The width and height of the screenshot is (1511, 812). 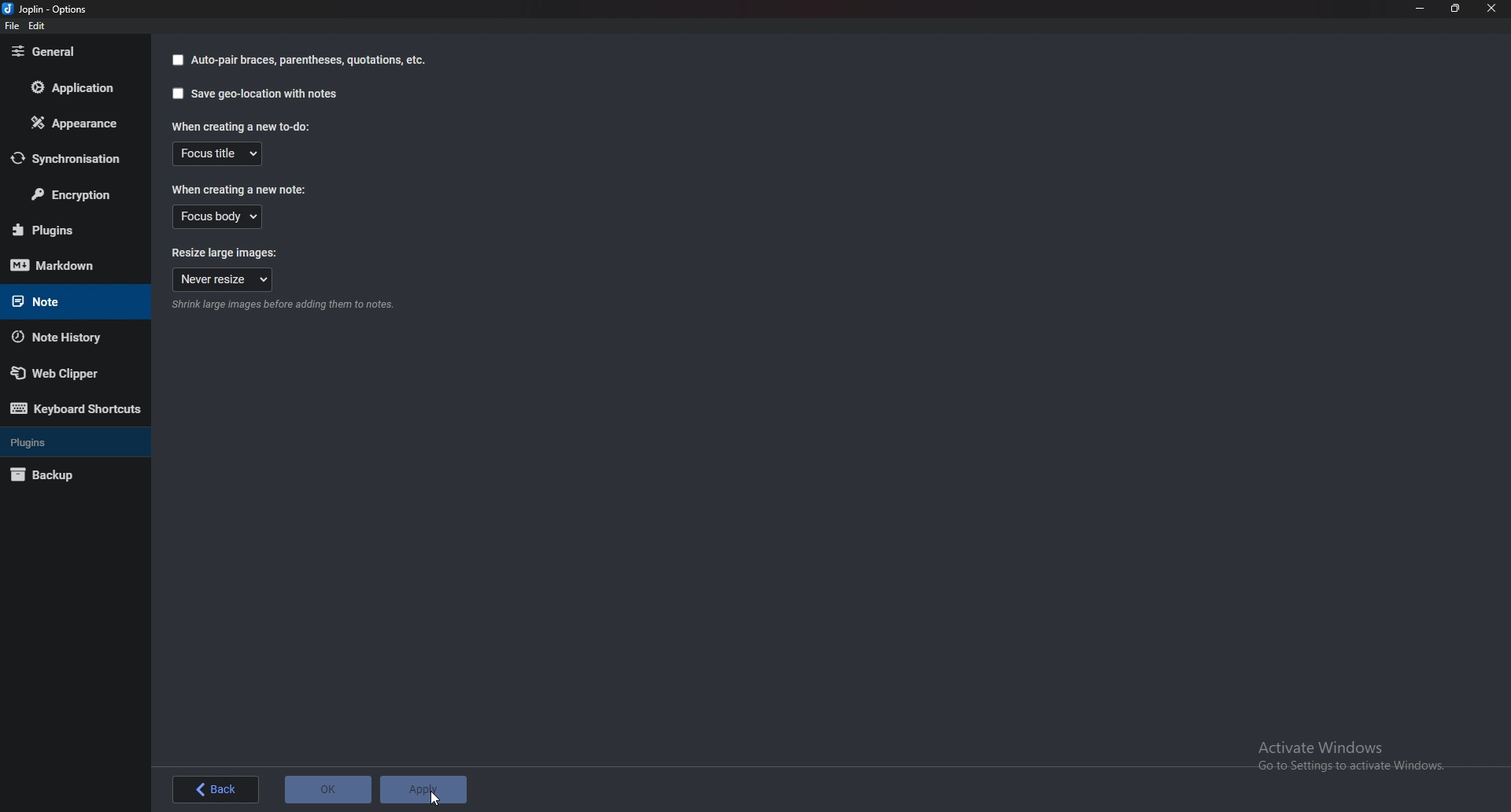 I want to click on focus body, so click(x=217, y=217).